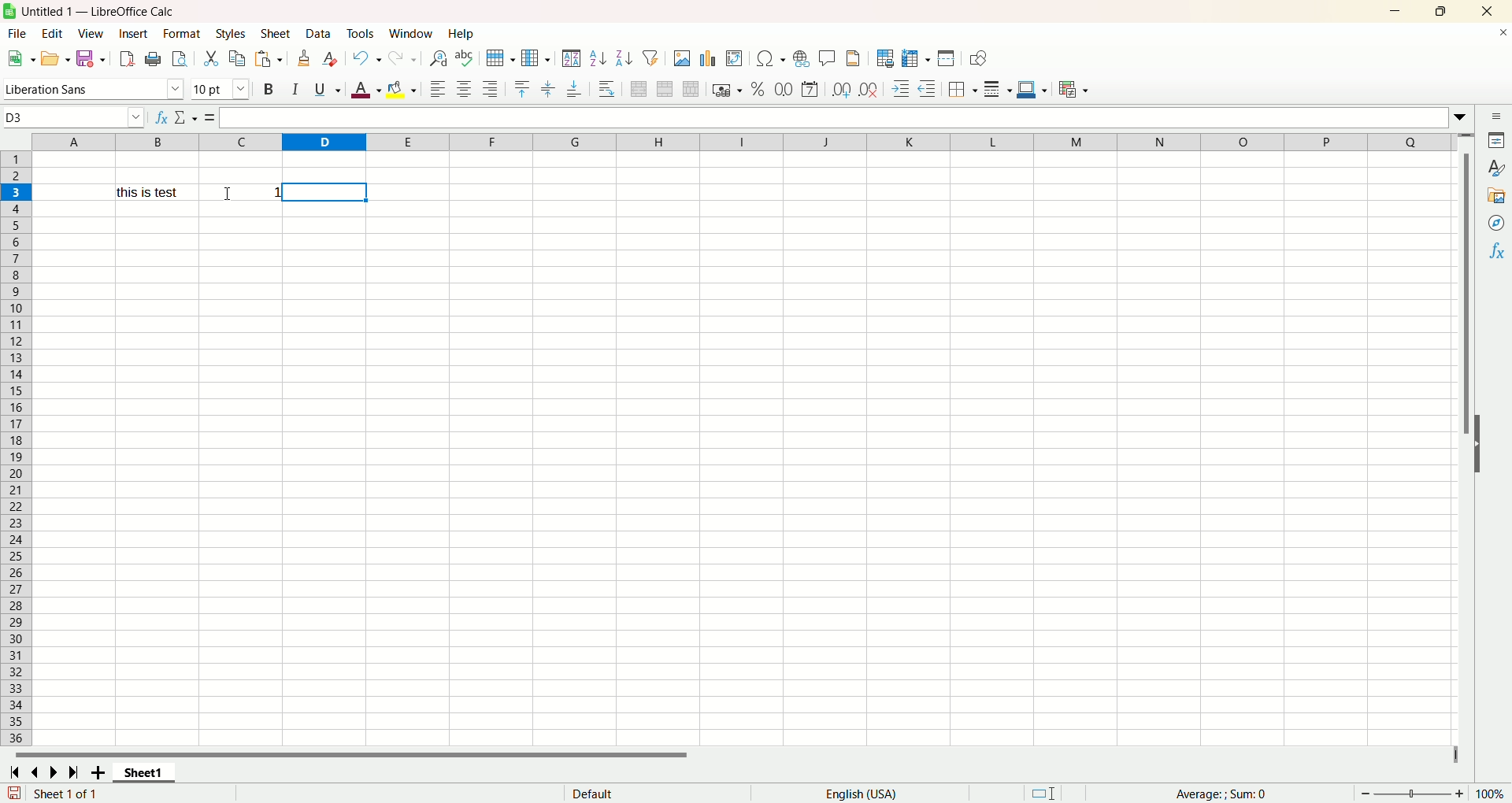 The height and width of the screenshot is (803, 1512). Describe the element at coordinates (1484, 12) in the screenshot. I see `close` at that location.